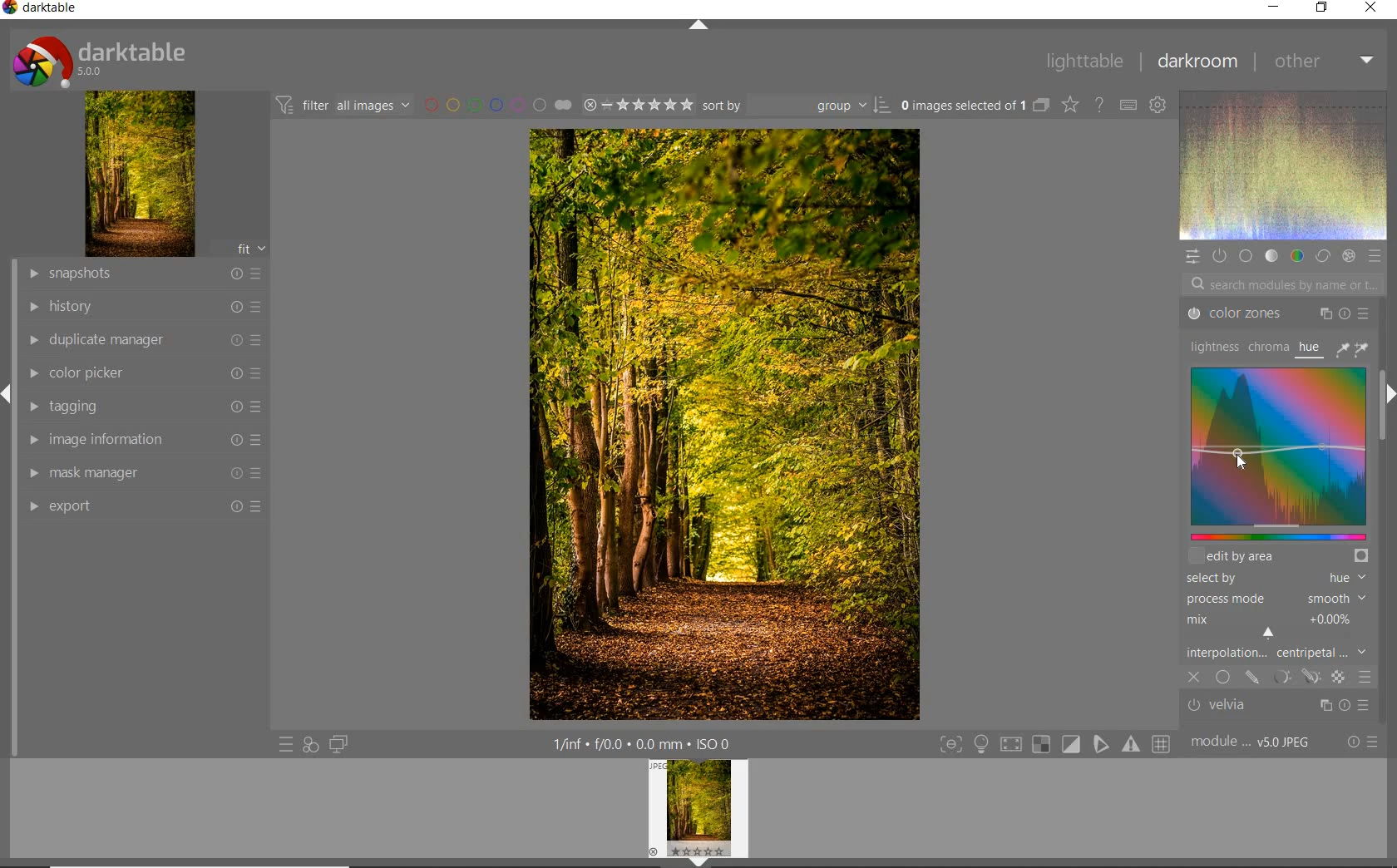  What do you see at coordinates (1252, 742) in the screenshot?
I see `MODULE ORDER` at bounding box center [1252, 742].